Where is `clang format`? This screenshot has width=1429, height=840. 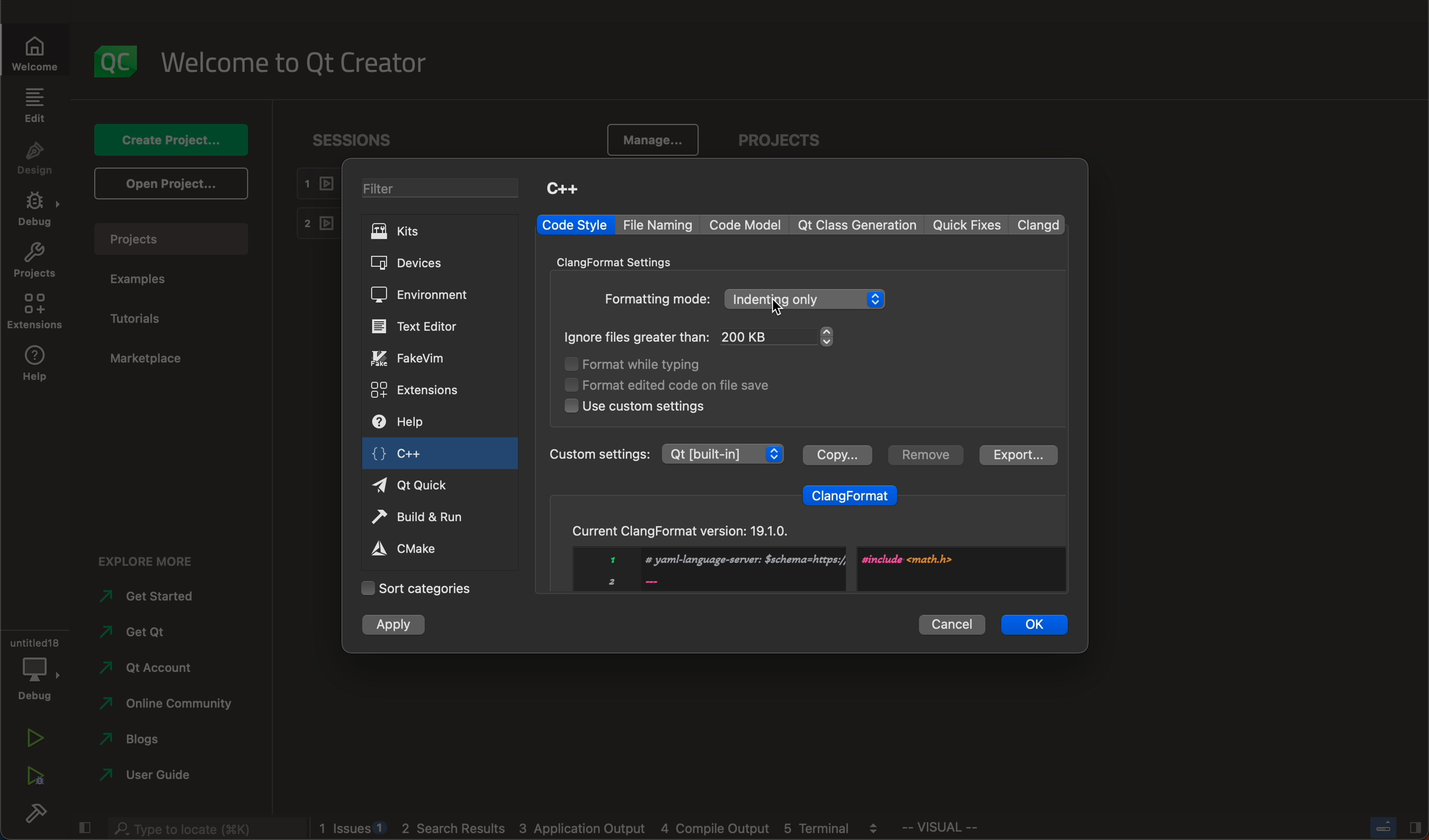
clang format is located at coordinates (851, 493).